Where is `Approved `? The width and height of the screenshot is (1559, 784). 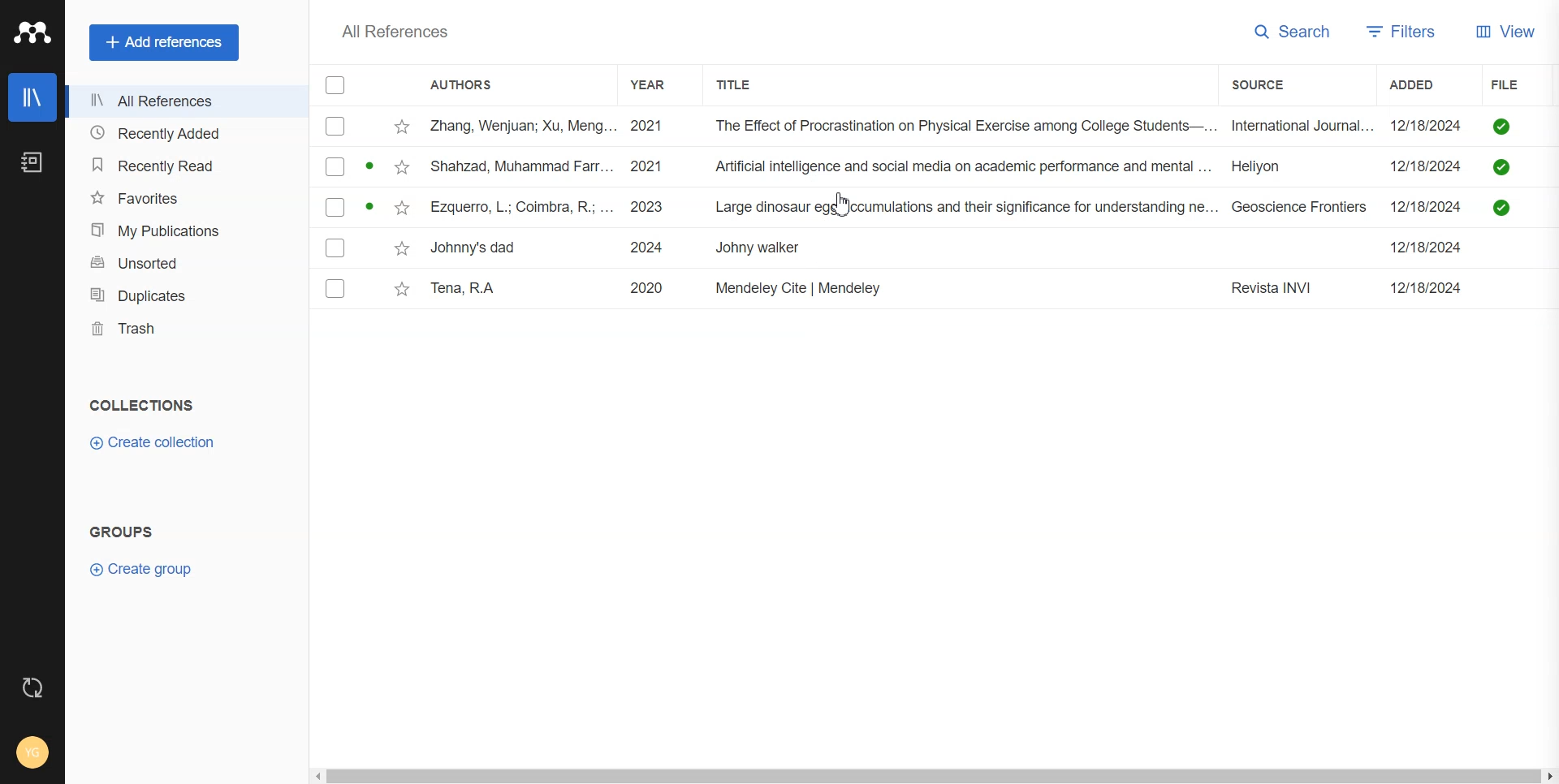 Approved  is located at coordinates (1501, 207).